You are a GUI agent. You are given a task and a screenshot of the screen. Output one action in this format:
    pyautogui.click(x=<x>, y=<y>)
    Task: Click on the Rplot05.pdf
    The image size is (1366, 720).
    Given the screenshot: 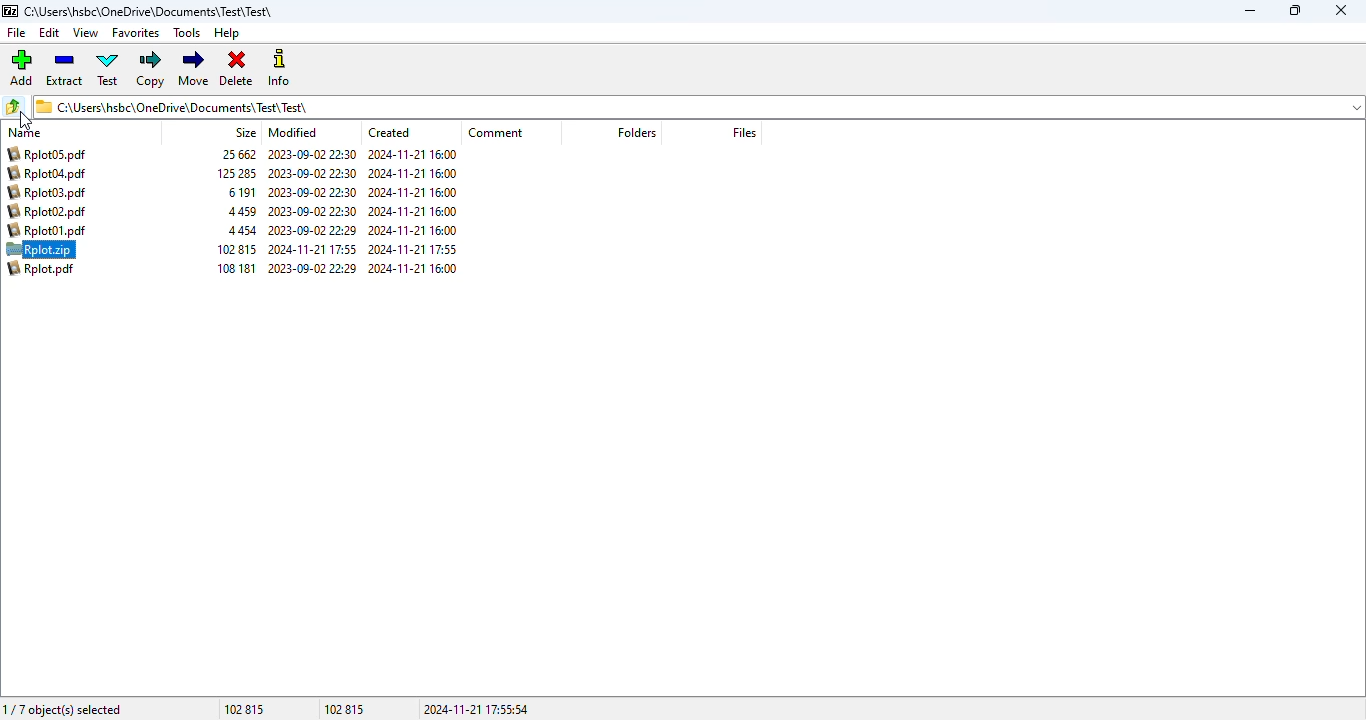 What is the action you would take?
    pyautogui.click(x=48, y=154)
    